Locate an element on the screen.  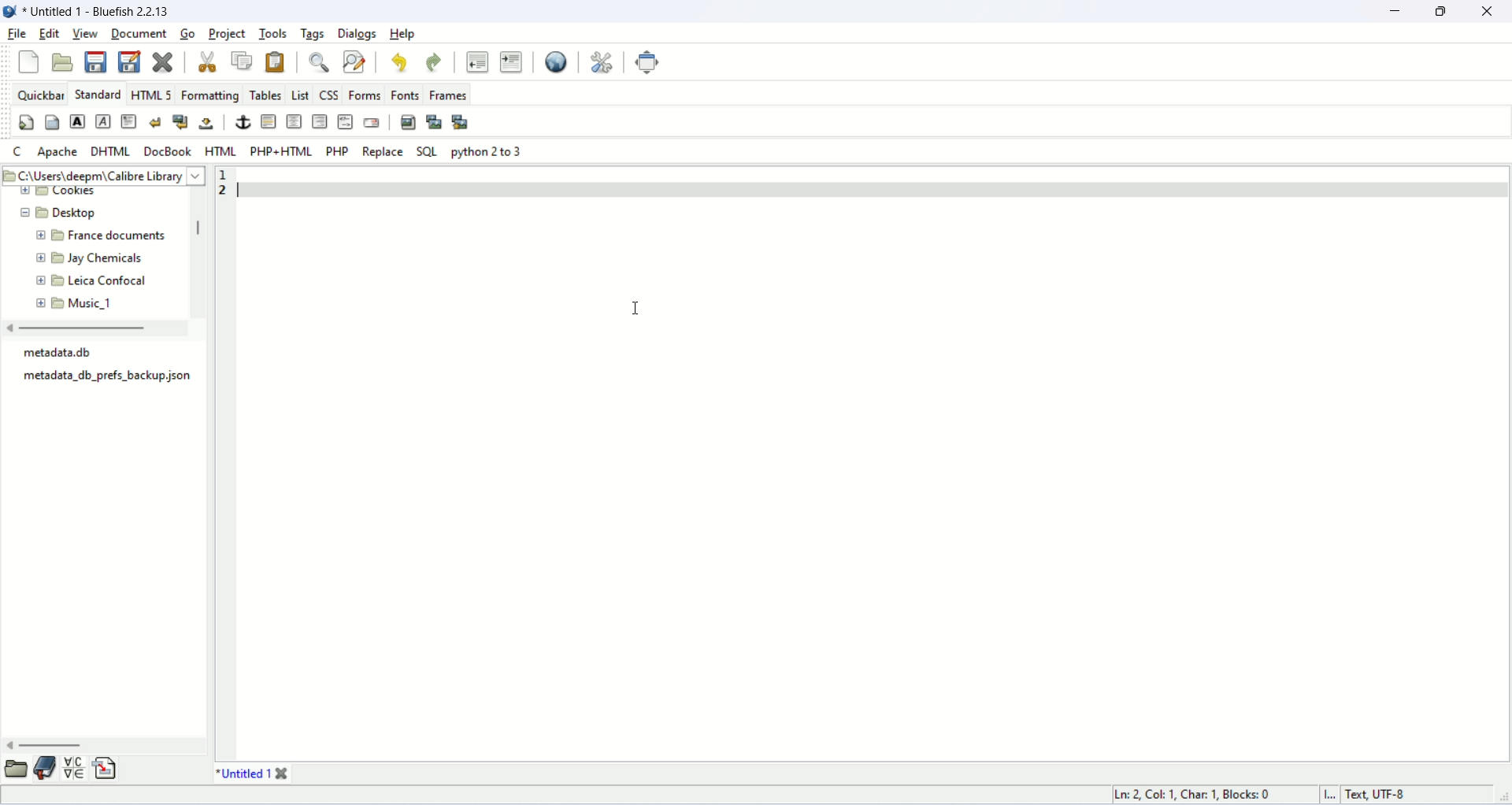
quickbar is located at coordinates (43, 95).